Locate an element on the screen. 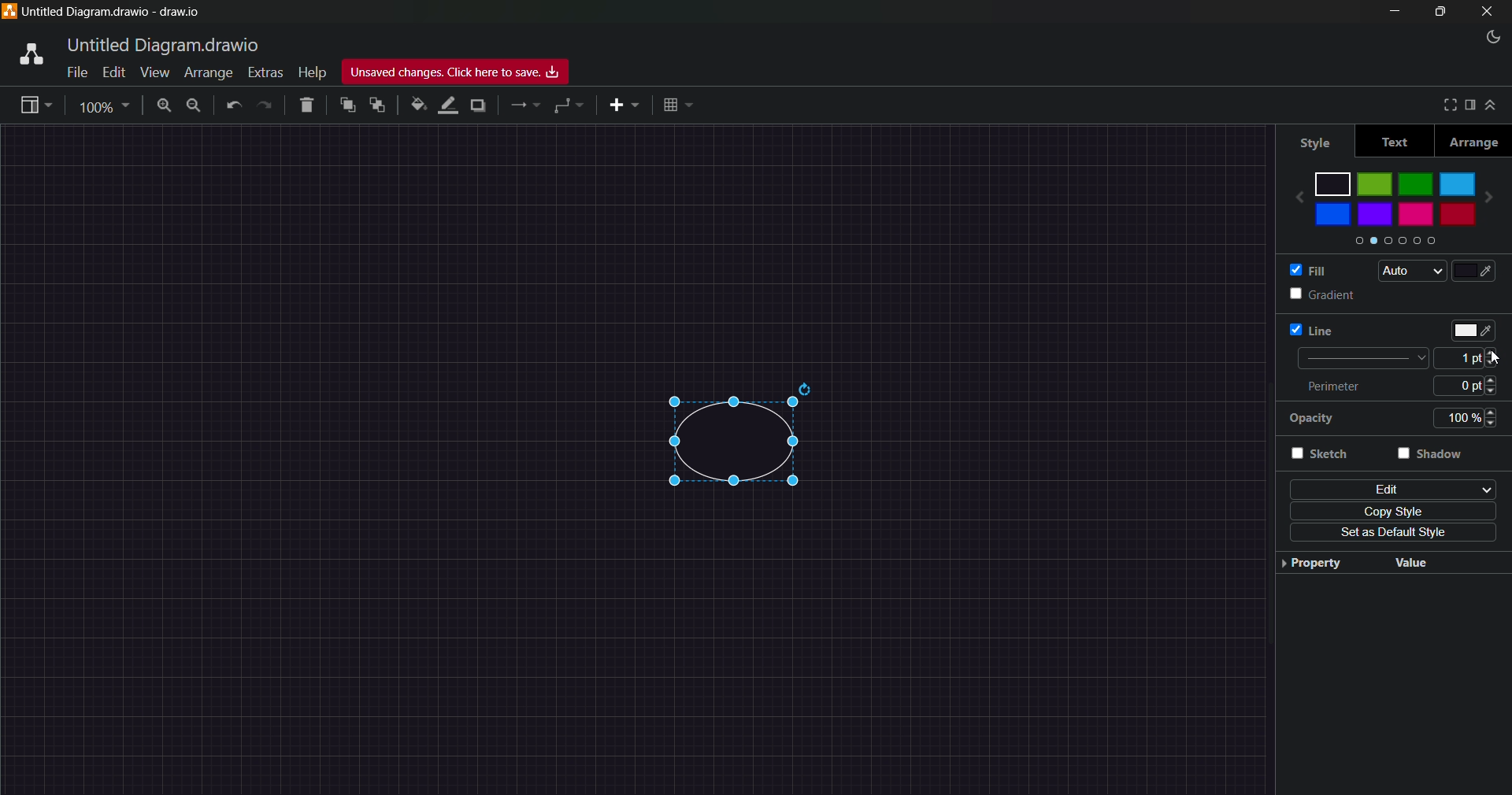  Untitled Diagram.drawio - draw.io is located at coordinates (114, 12).